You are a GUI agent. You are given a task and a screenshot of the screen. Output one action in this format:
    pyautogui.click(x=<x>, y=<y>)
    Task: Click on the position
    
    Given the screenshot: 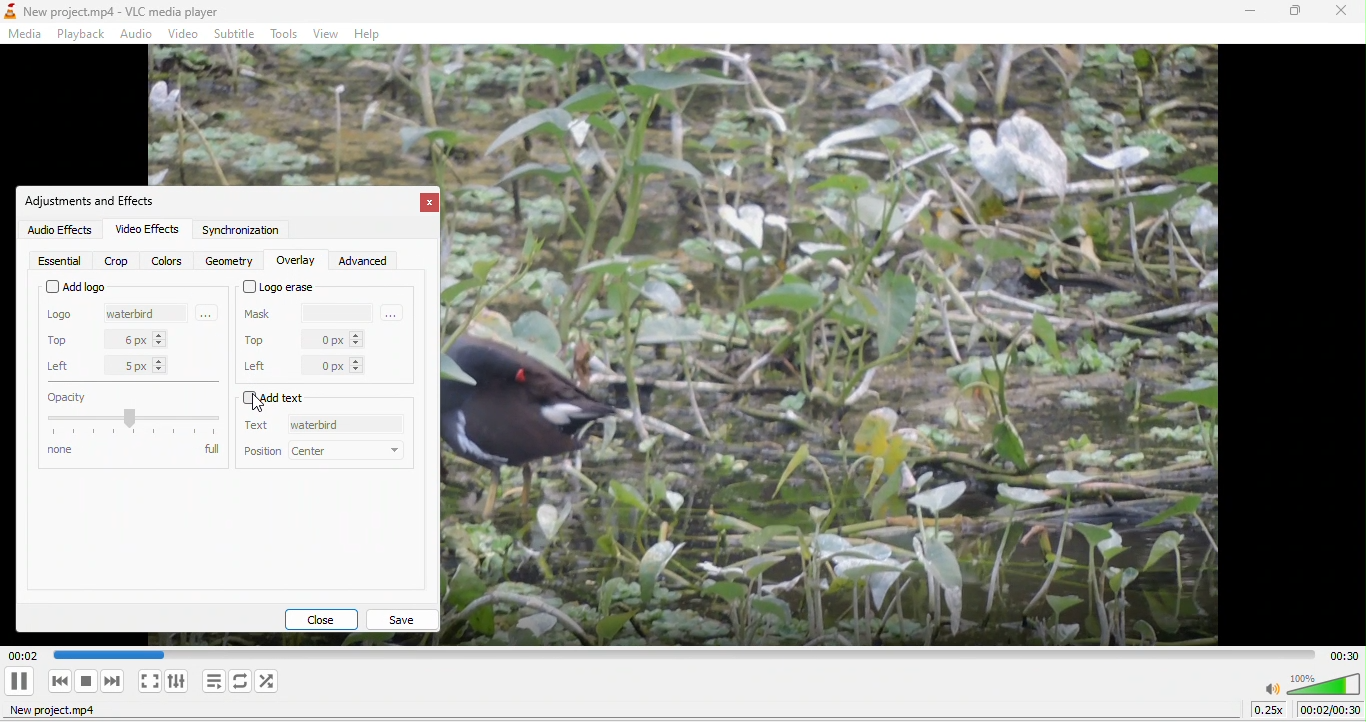 What is the action you would take?
    pyautogui.click(x=263, y=452)
    